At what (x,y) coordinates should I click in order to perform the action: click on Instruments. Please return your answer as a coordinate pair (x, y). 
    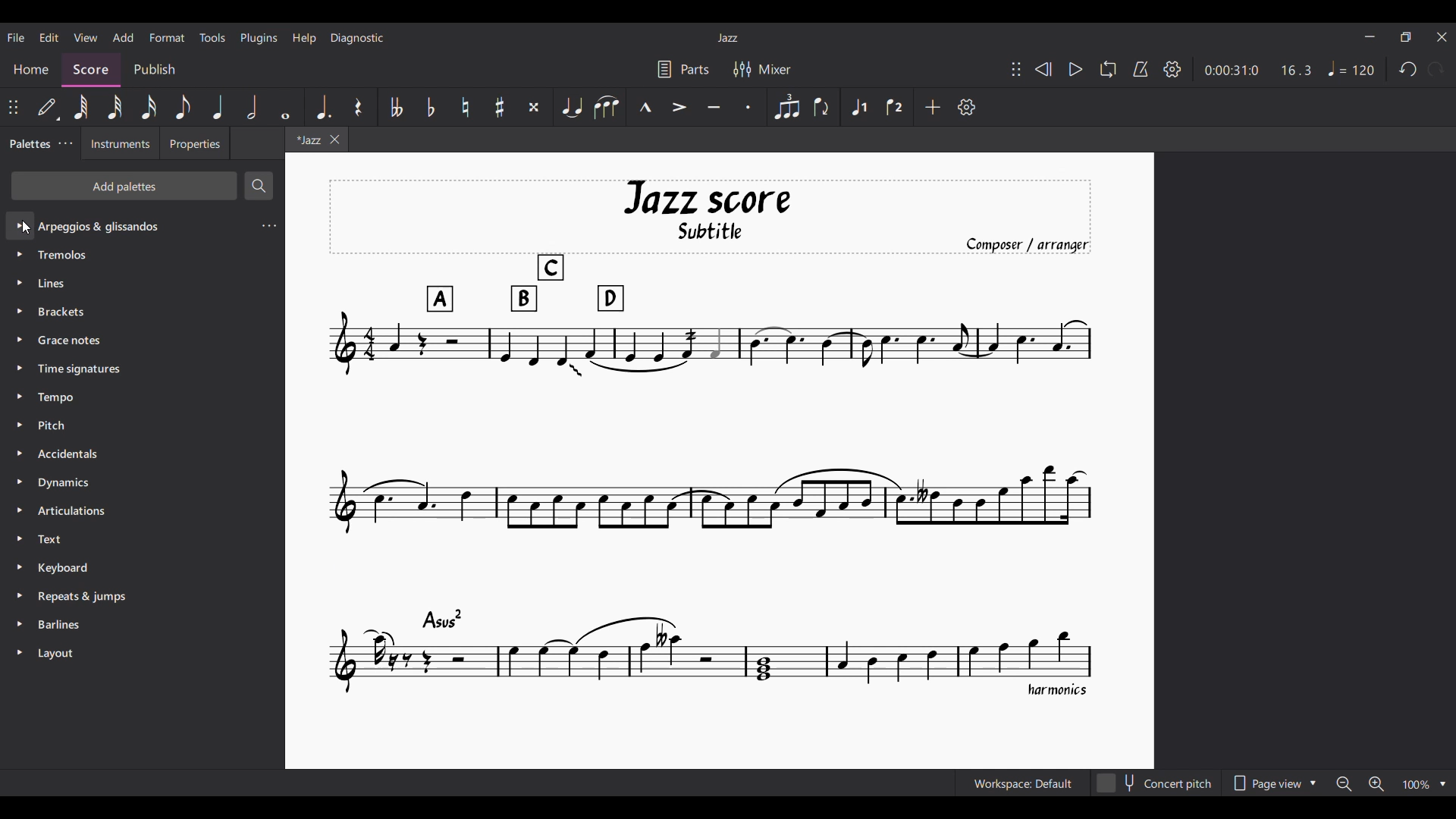
    Looking at the image, I should click on (121, 146).